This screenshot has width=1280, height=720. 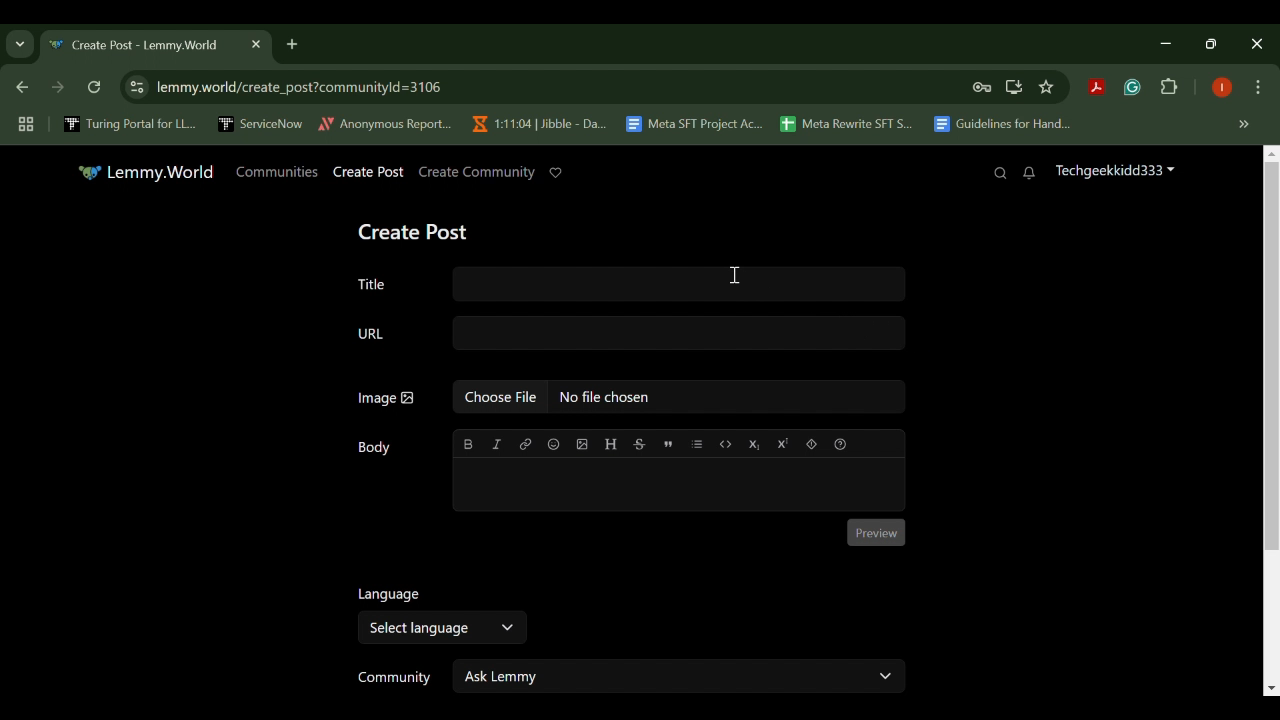 What do you see at coordinates (1170, 43) in the screenshot?
I see `Restore Down` at bounding box center [1170, 43].